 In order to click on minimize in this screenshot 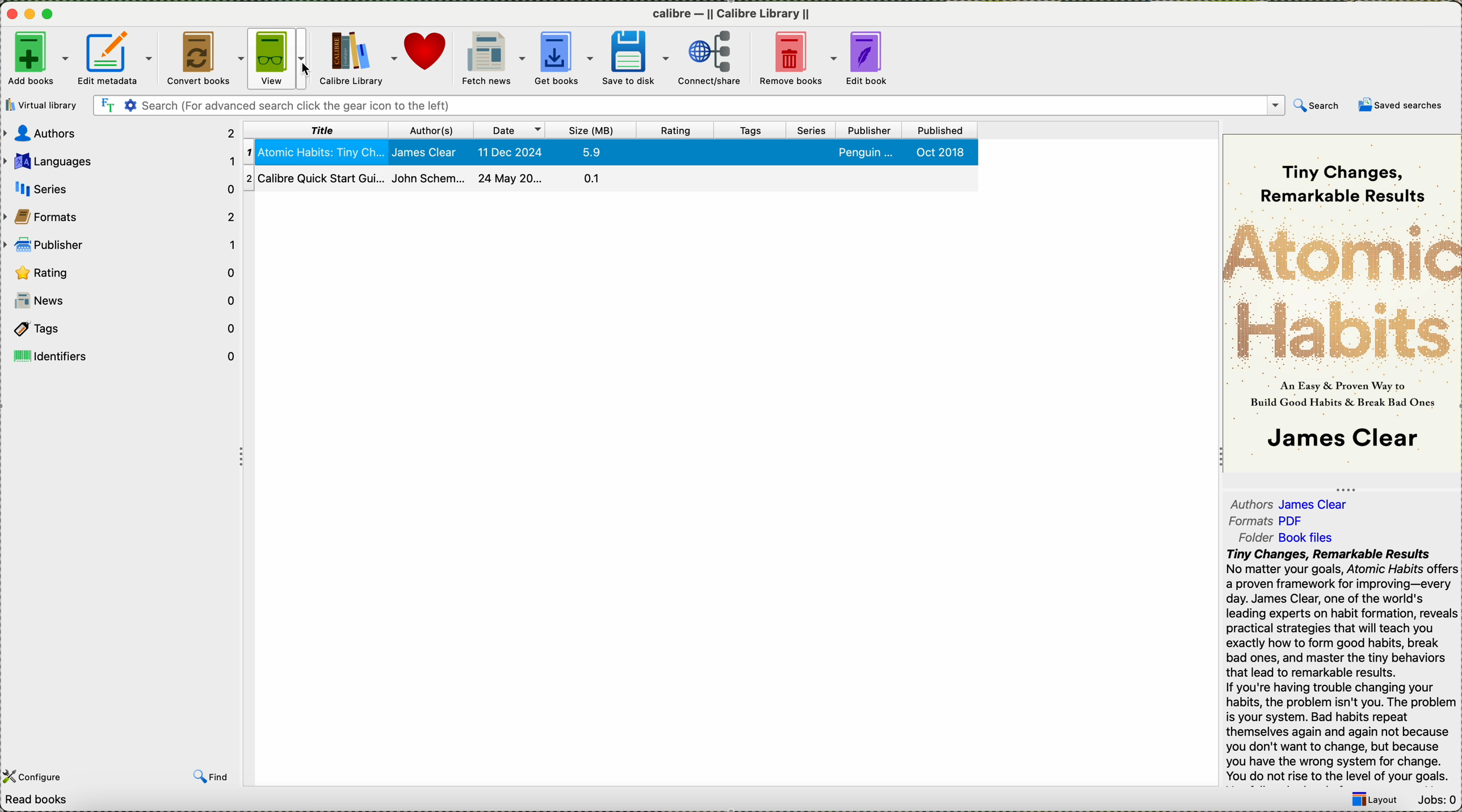, I will do `click(28, 15)`.